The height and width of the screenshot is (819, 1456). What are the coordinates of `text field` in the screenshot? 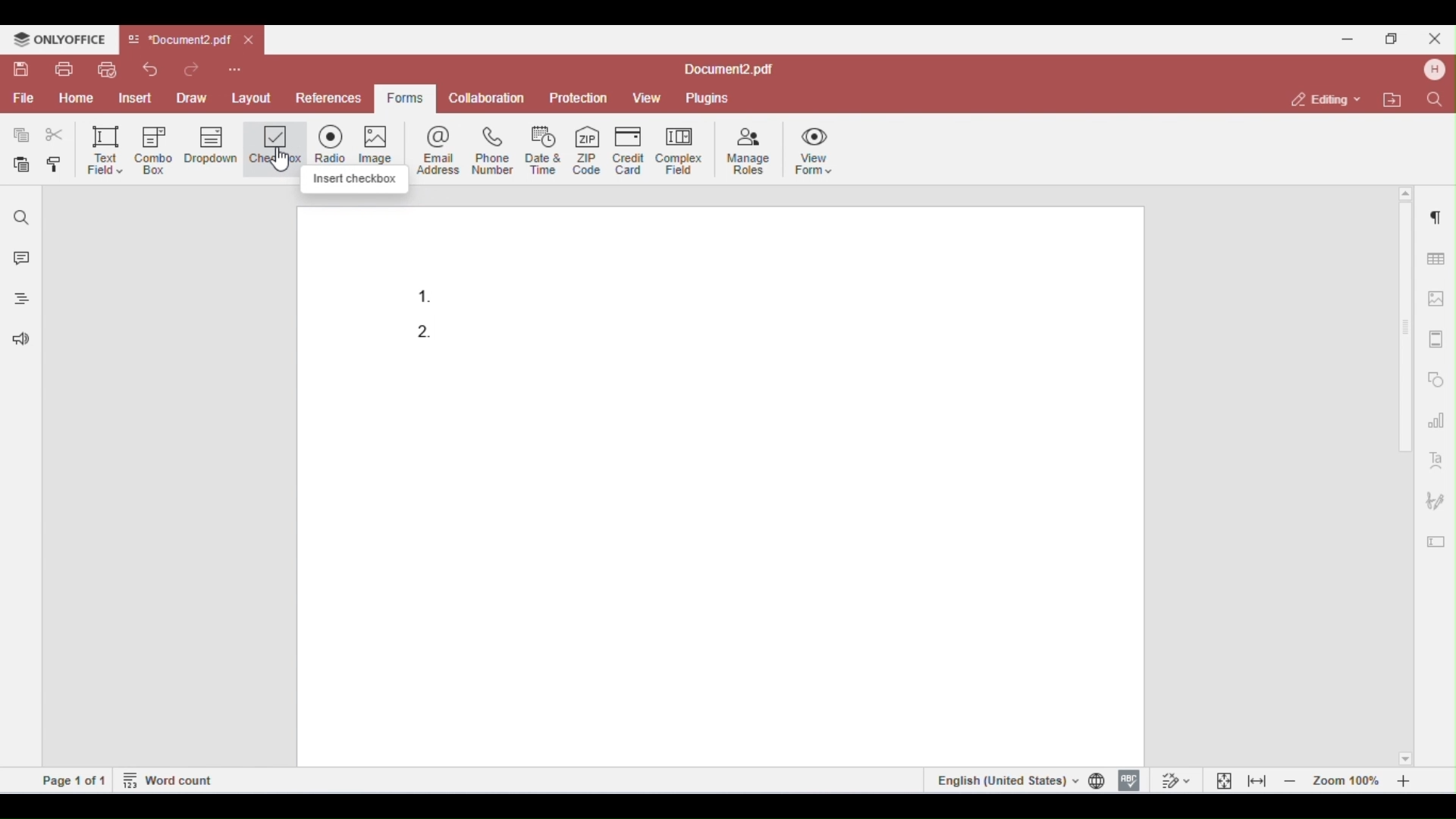 It's located at (105, 149).